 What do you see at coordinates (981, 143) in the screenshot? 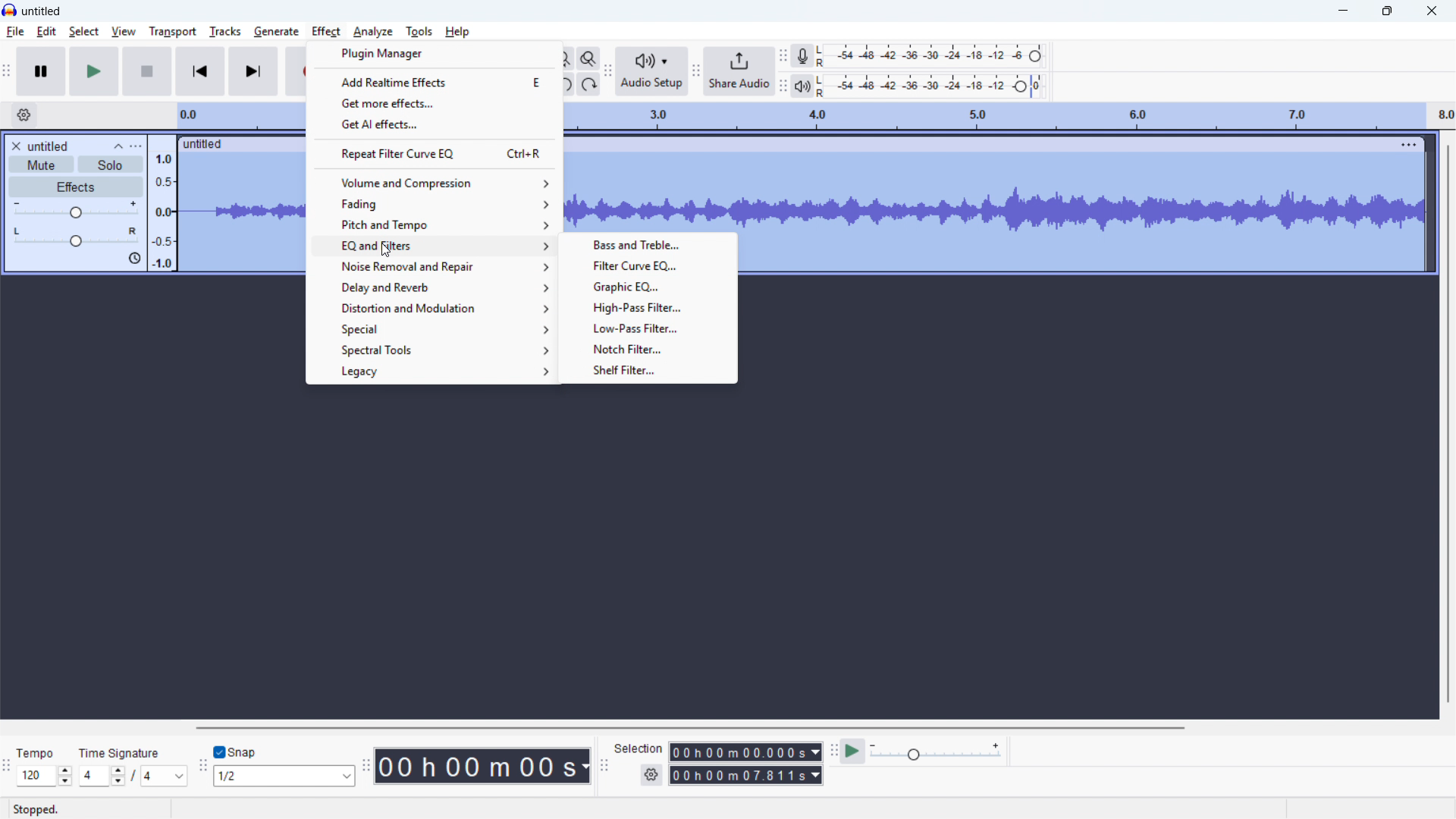
I see `Click to drag ` at bounding box center [981, 143].